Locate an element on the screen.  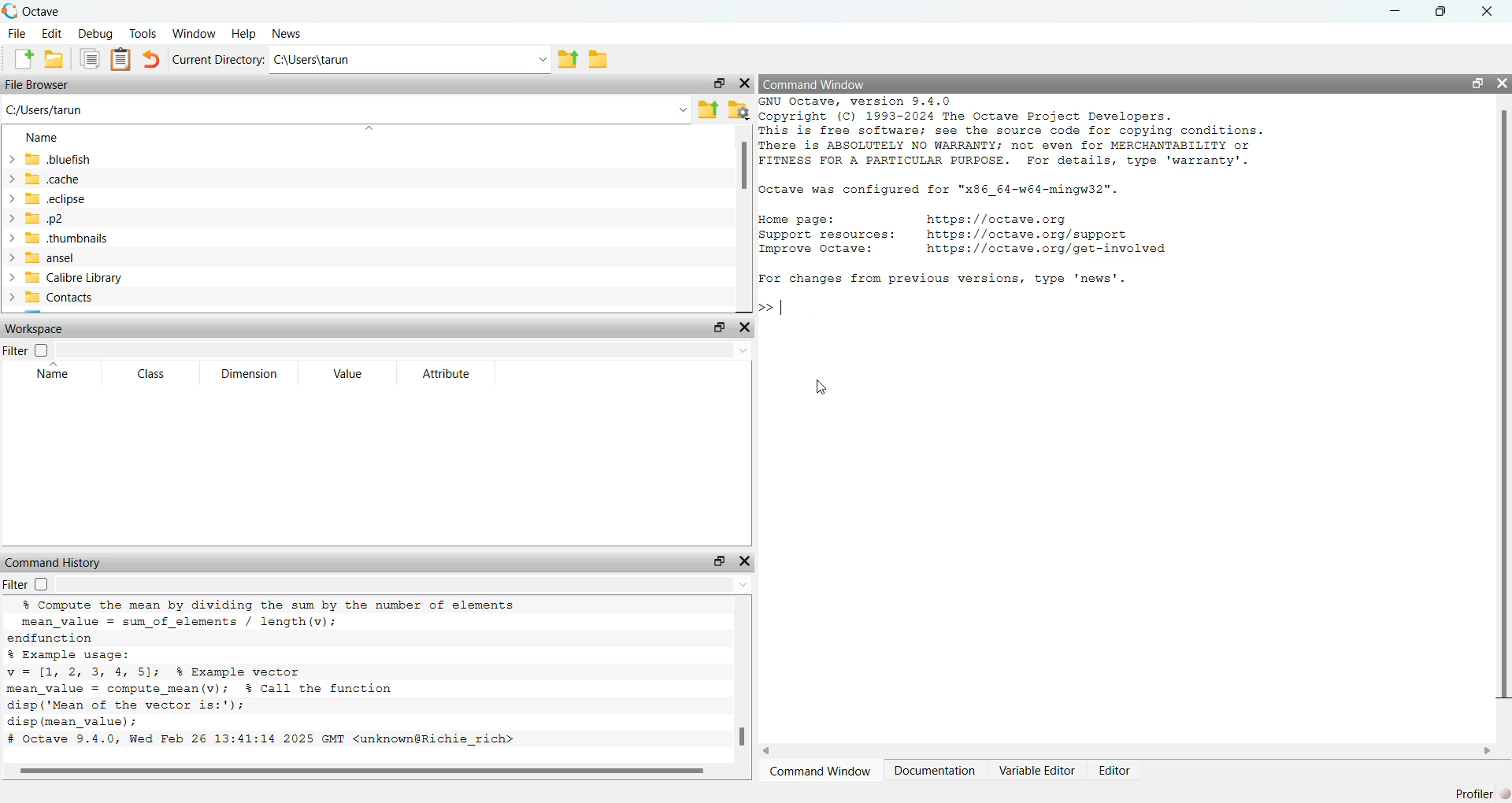
folder is located at coordinates (600, 60).